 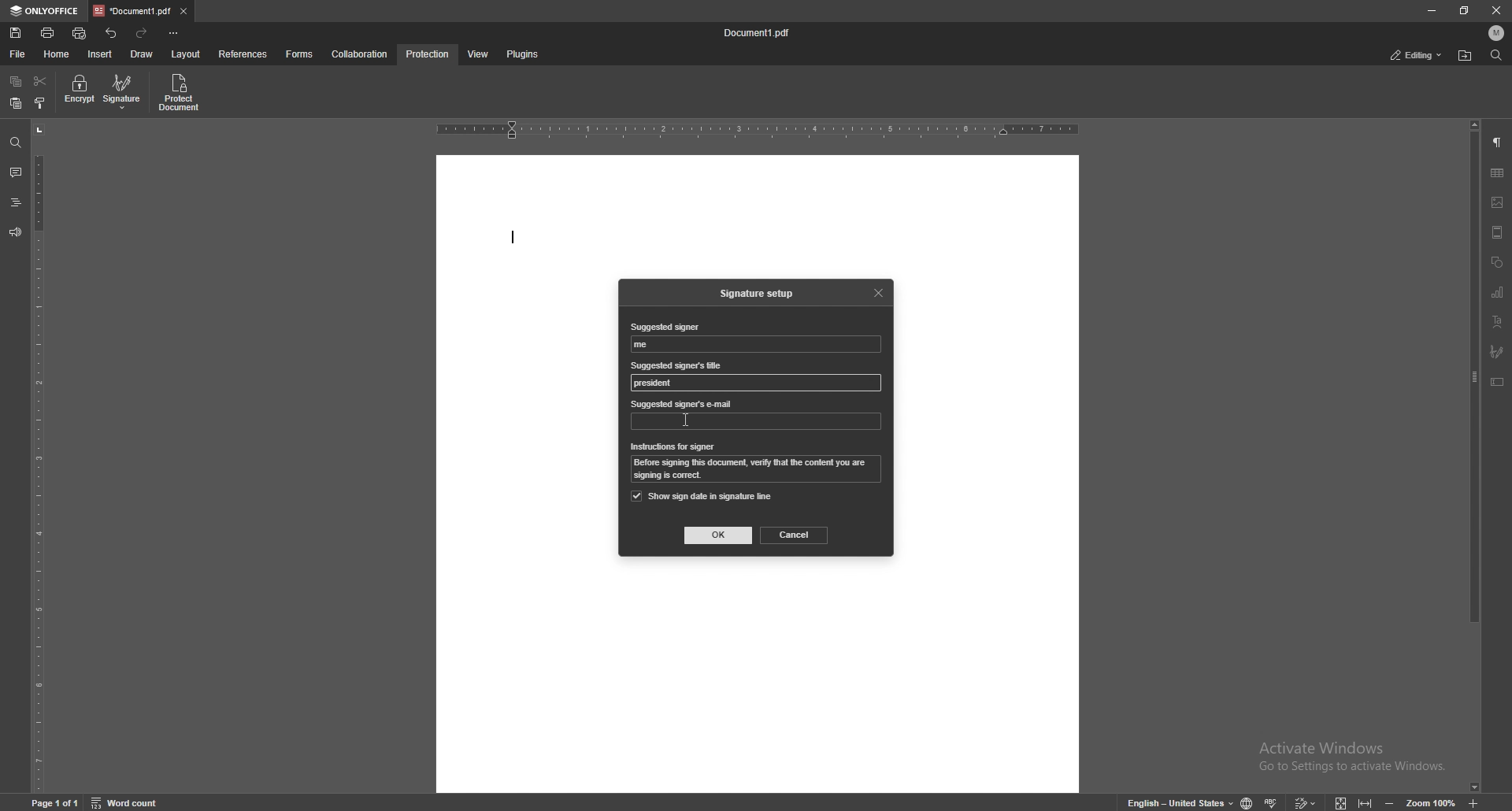 What do you see at coordinates (1417, 56) in the screenshot?
I see `status` at bounding box center [1417, 56].